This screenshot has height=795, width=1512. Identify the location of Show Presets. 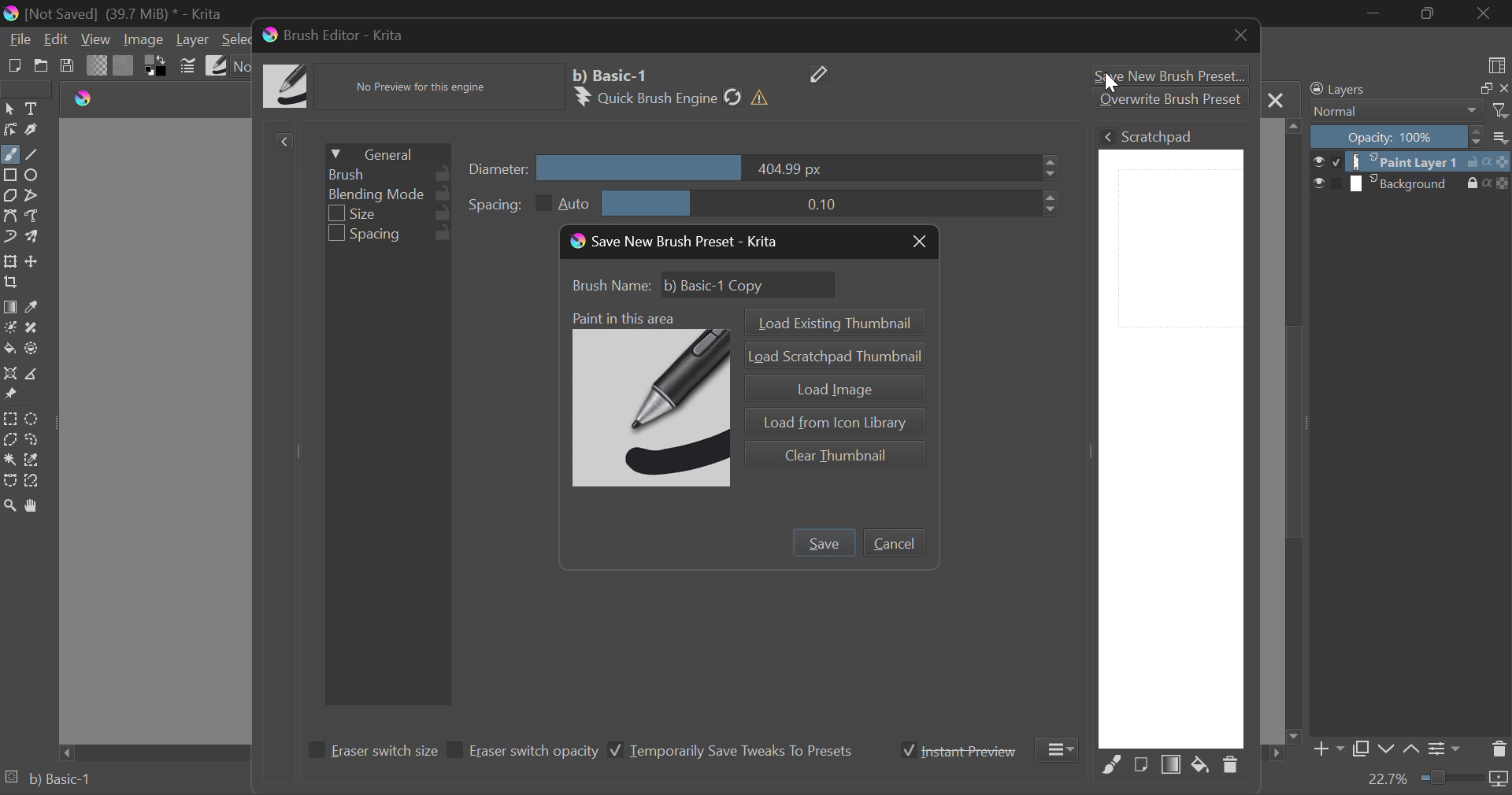
(283, 142).